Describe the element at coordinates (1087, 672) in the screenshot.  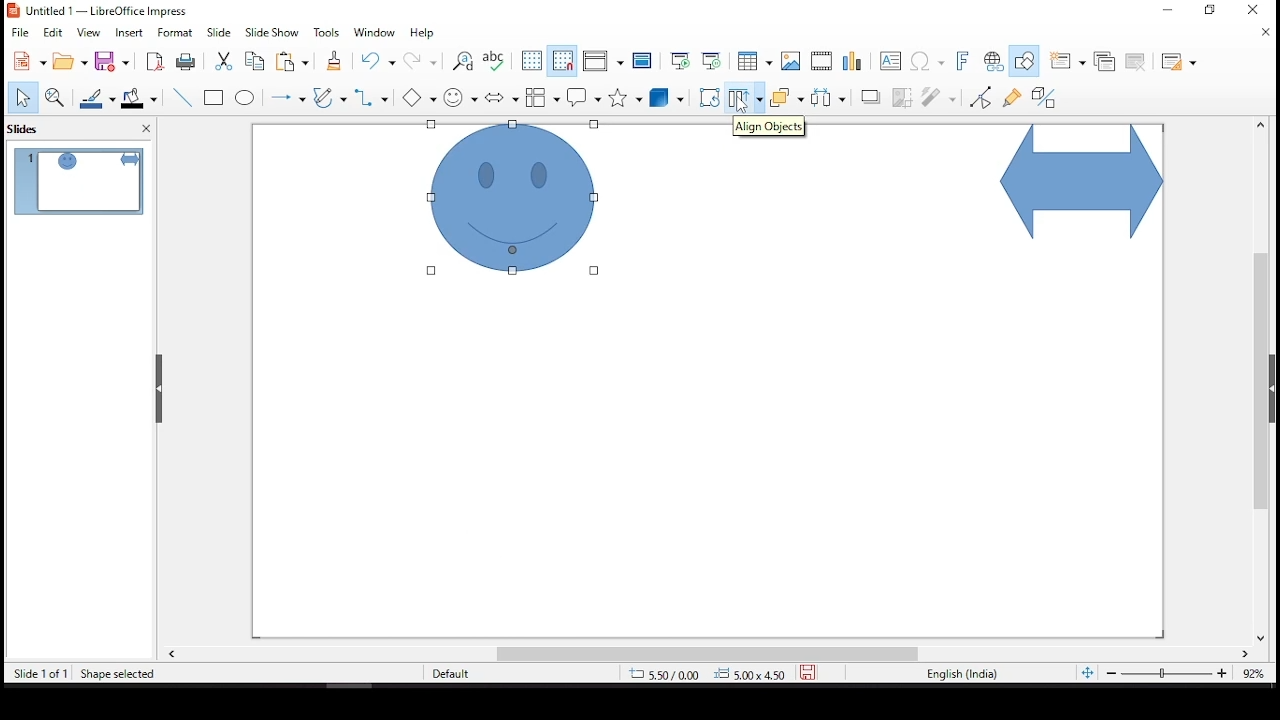
I see `fit slide to current window` at that location.